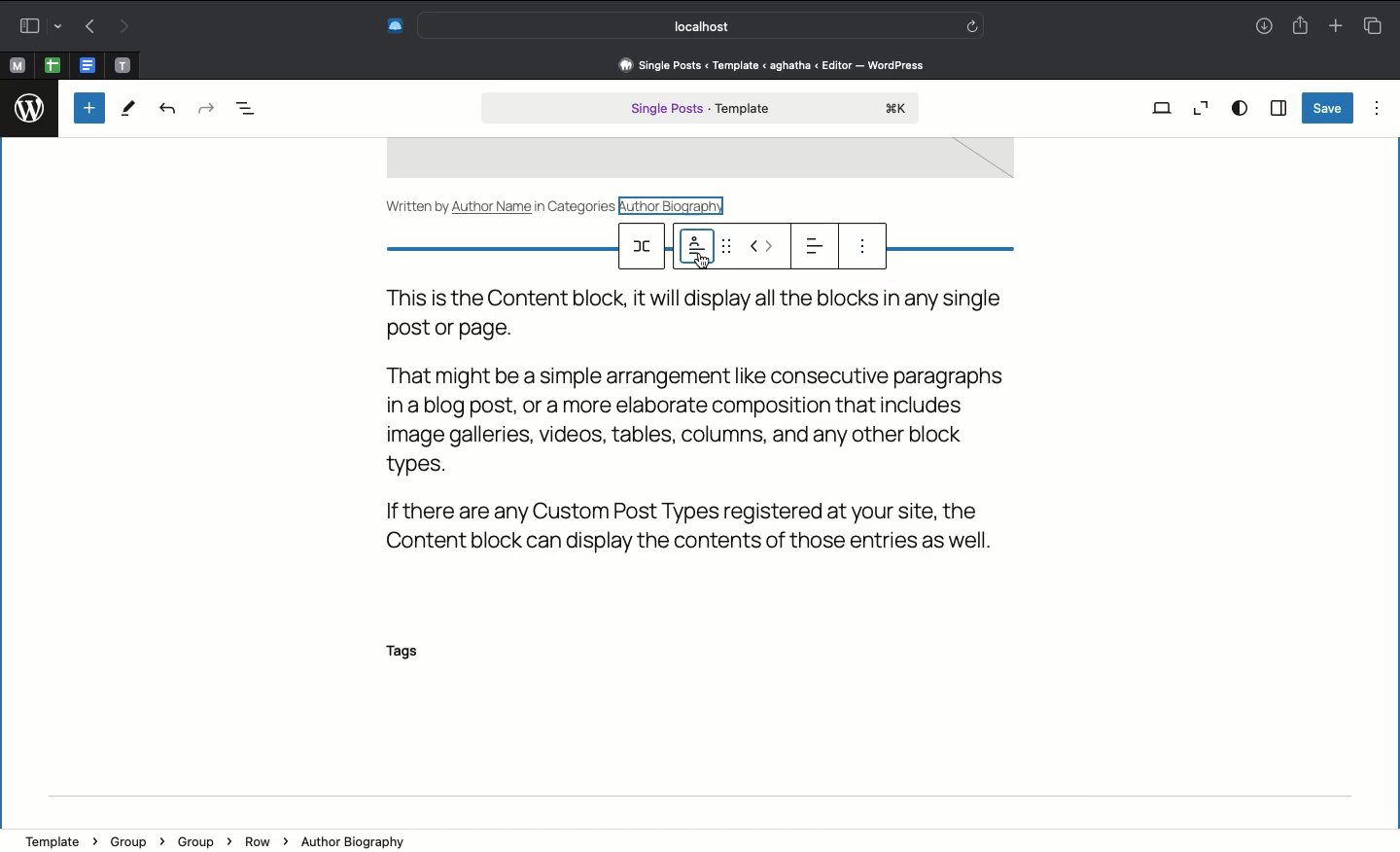  What do you see at coordinates (204, 107) in the screenshot?
I see `Redo` at bounding box center [204, 107].